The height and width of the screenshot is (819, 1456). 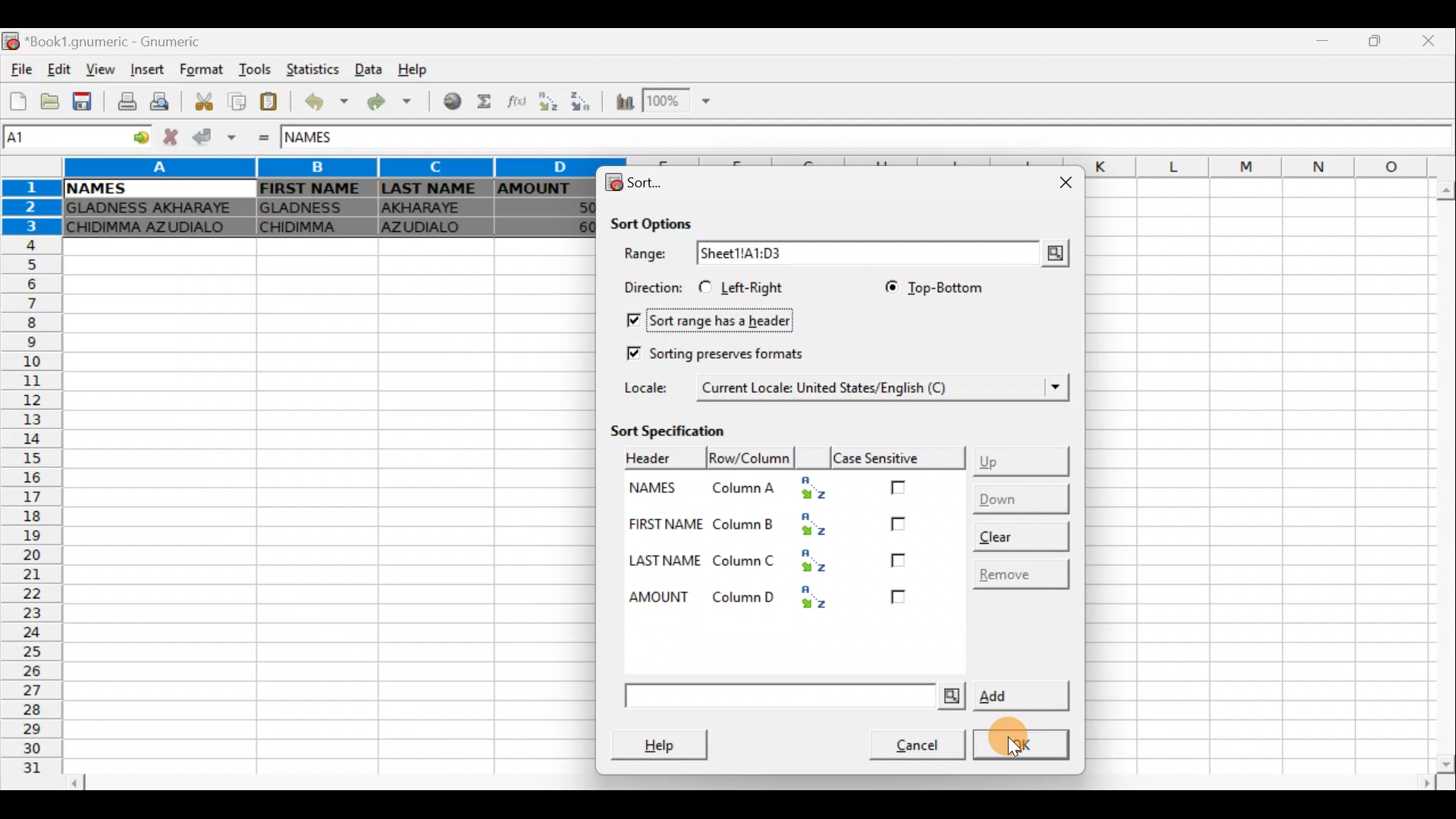 I want to click on Open a file, so click(x=52, y=101).